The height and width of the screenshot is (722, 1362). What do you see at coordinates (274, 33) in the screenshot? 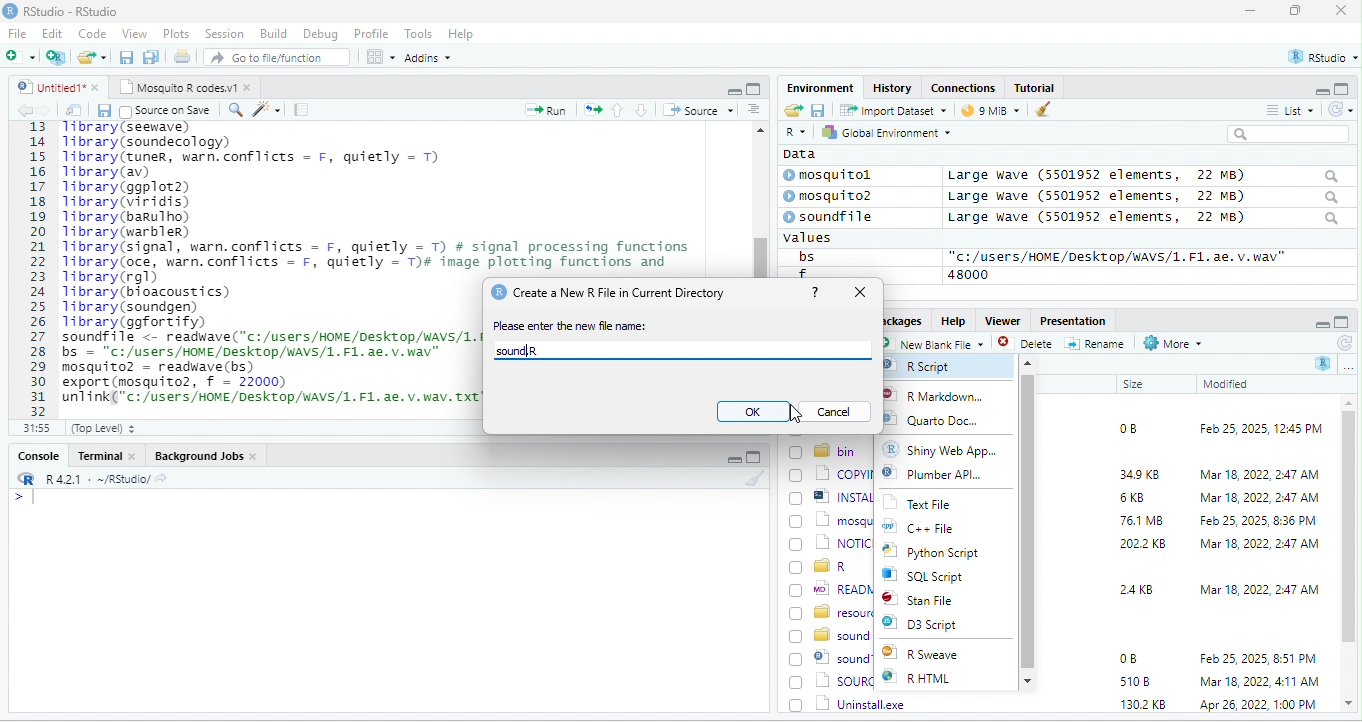
I see `Build` at bounding box center [274, 33].